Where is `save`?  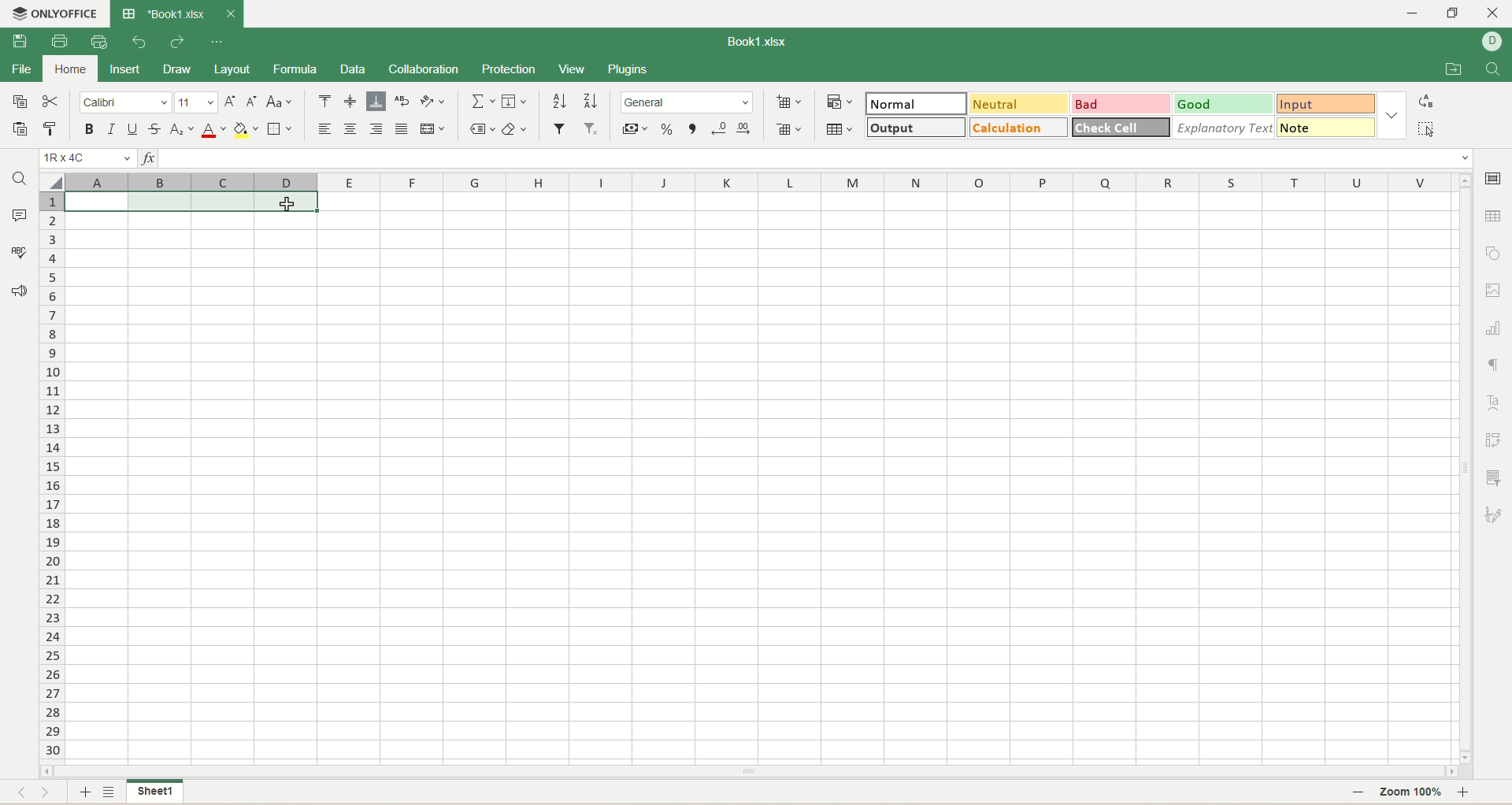 save is located at coordinates (15, 41).